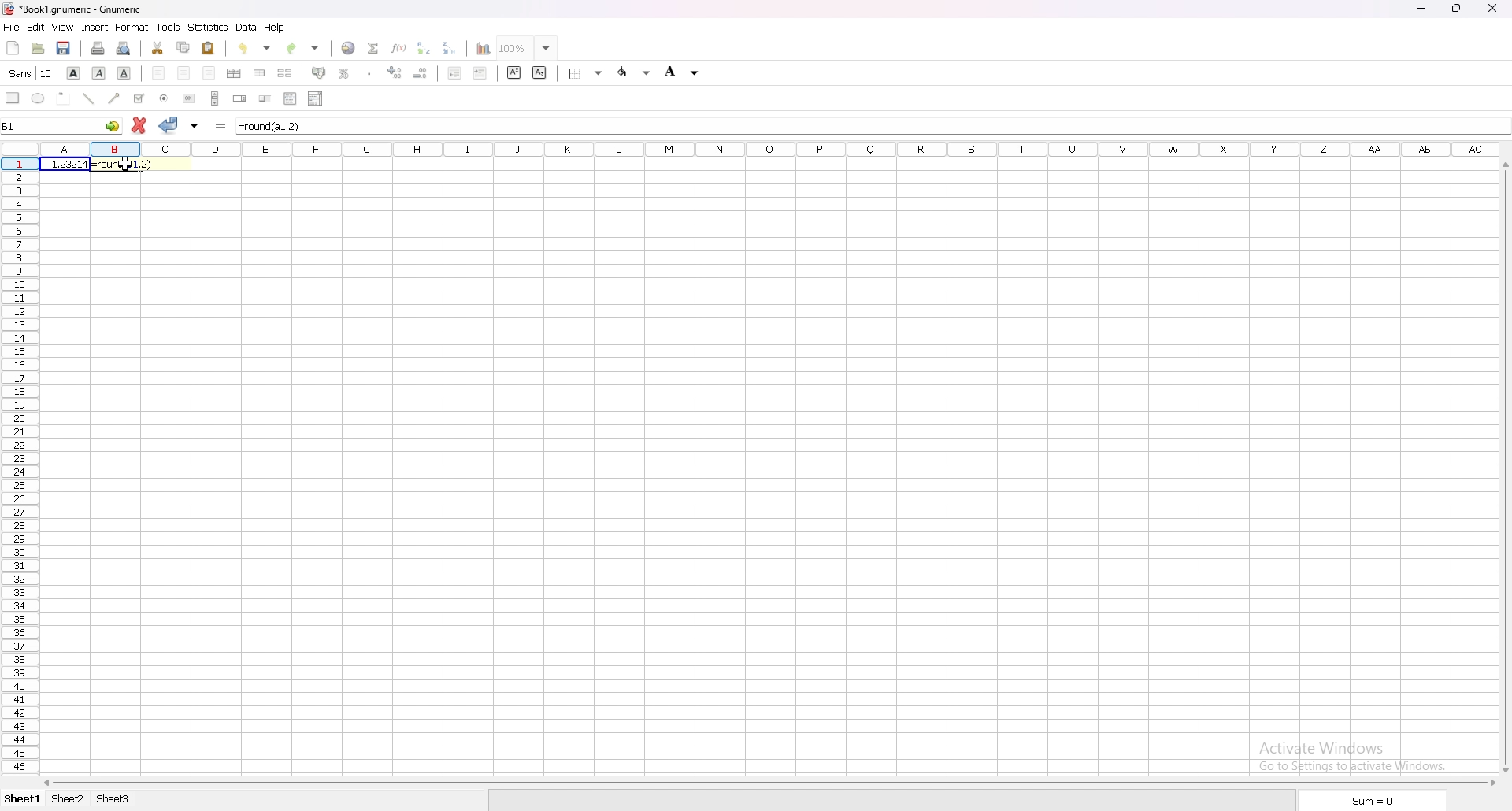  I want to click on sheet 3, so click(113, 799).